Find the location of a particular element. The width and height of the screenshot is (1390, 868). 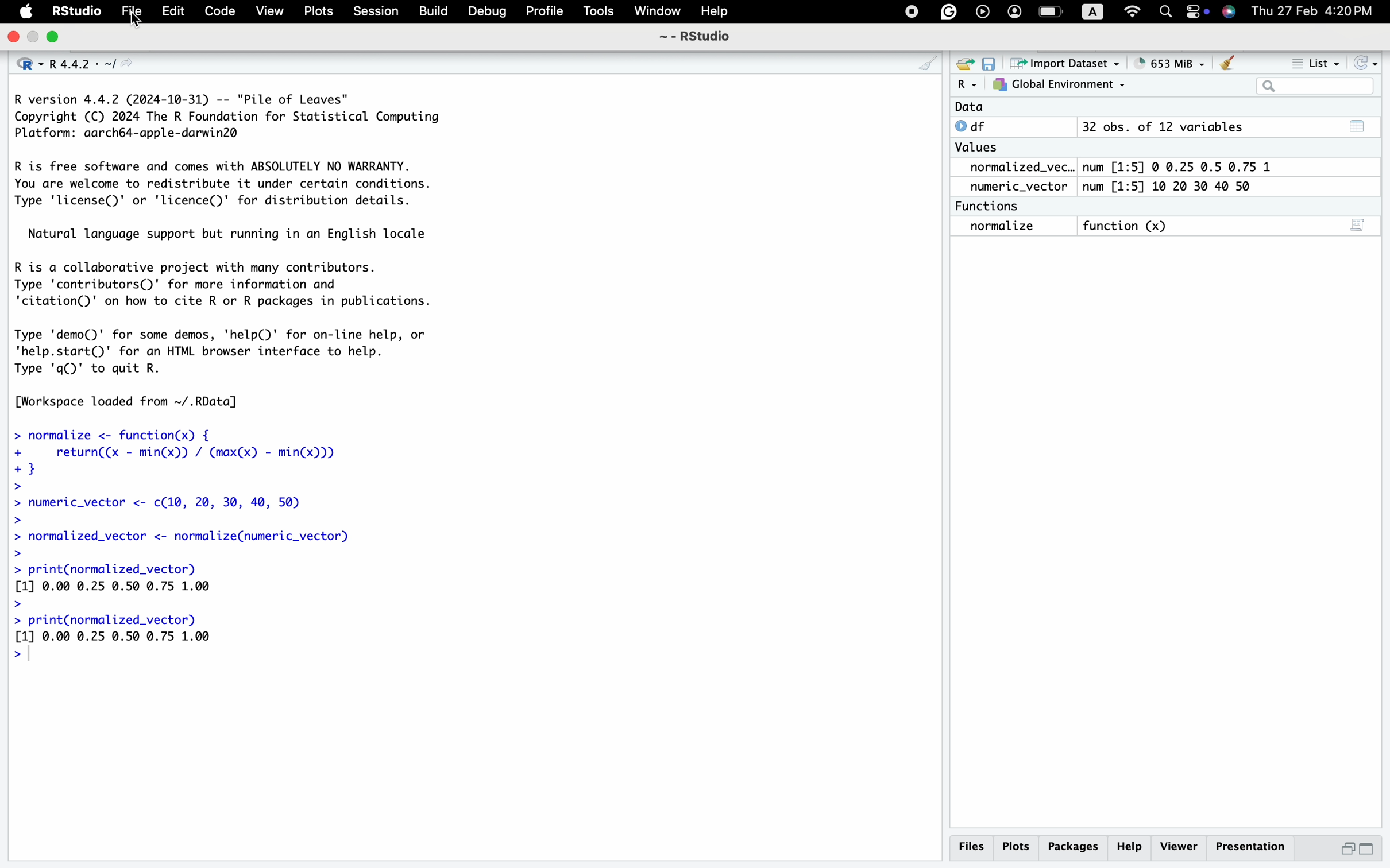

Window controls is located at coordinates (34, 38).